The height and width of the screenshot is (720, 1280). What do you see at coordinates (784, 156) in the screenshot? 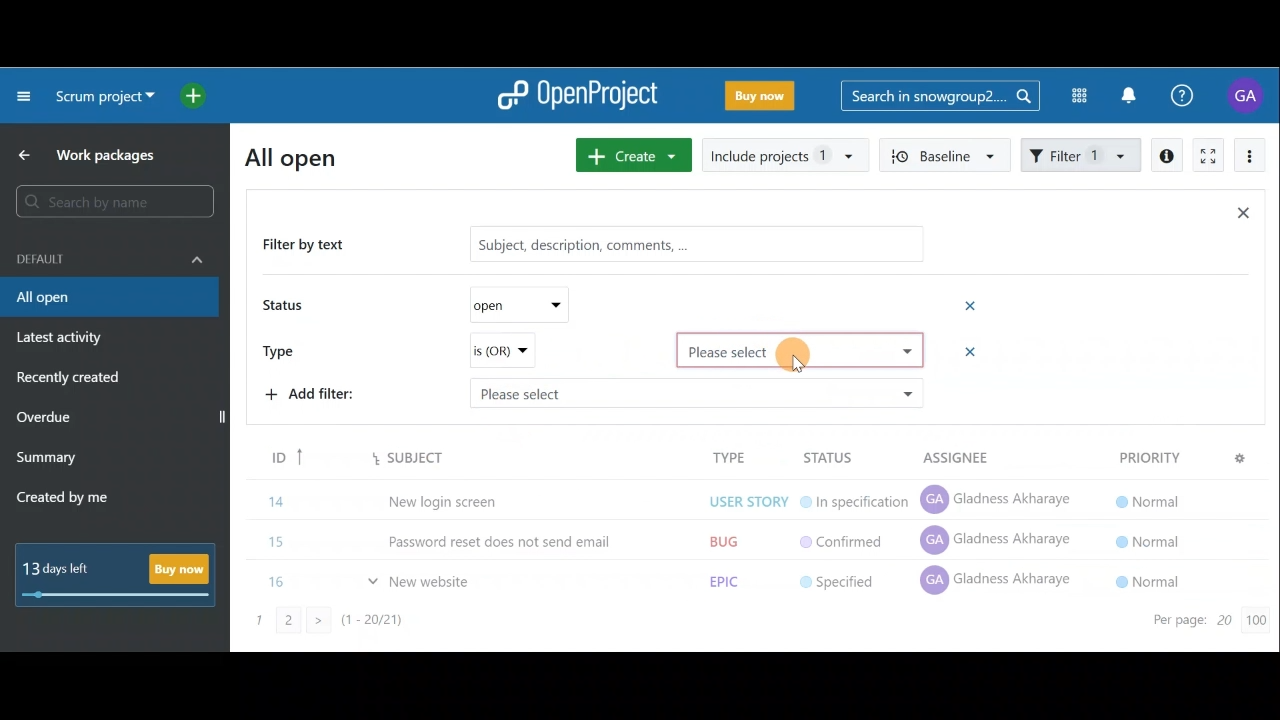
I see `Include projects` at bounding box center [784, 156].